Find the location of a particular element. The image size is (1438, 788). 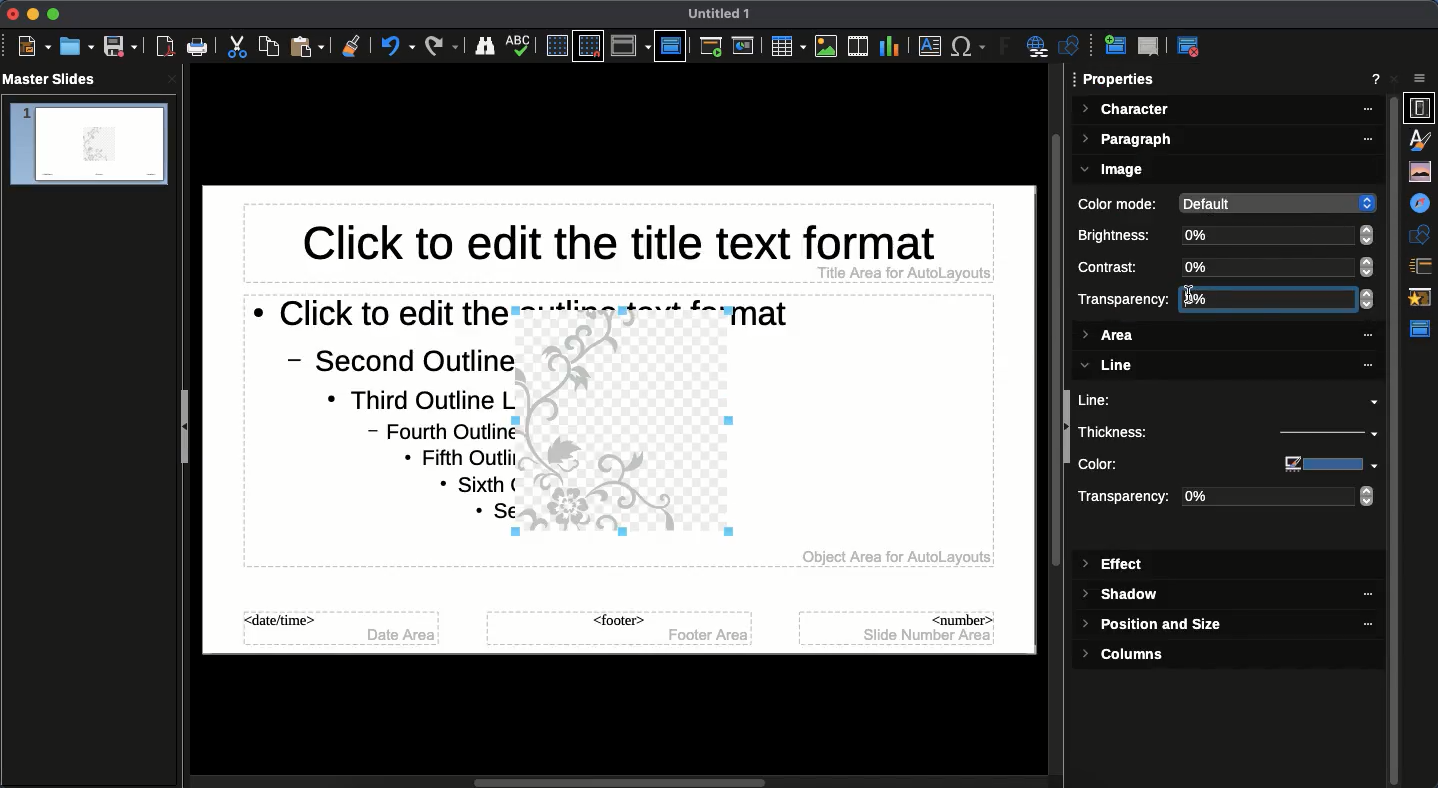

Finder is located at coordinates (485, 47).